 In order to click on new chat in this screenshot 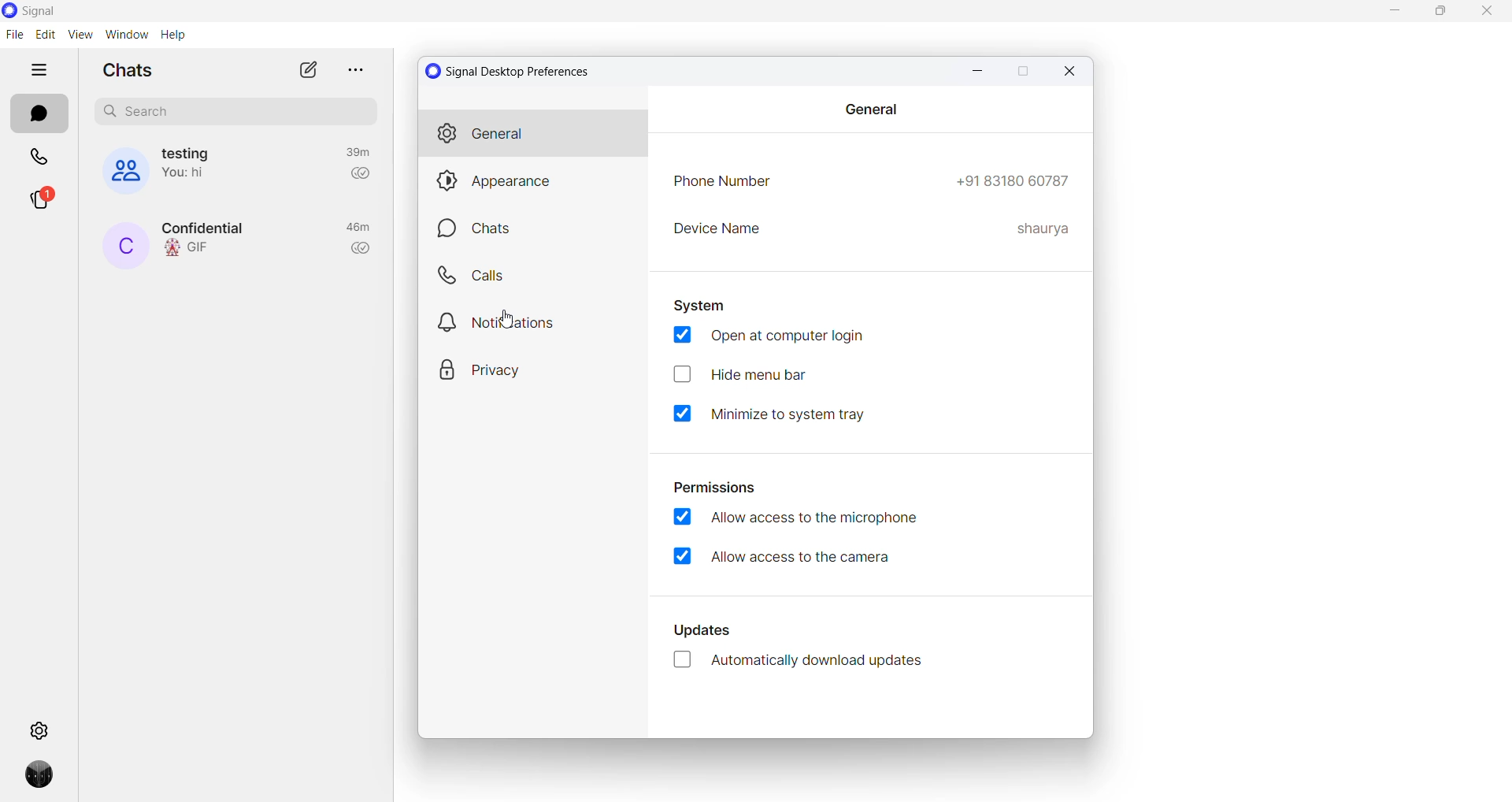, I will do `click(306, 71)`.